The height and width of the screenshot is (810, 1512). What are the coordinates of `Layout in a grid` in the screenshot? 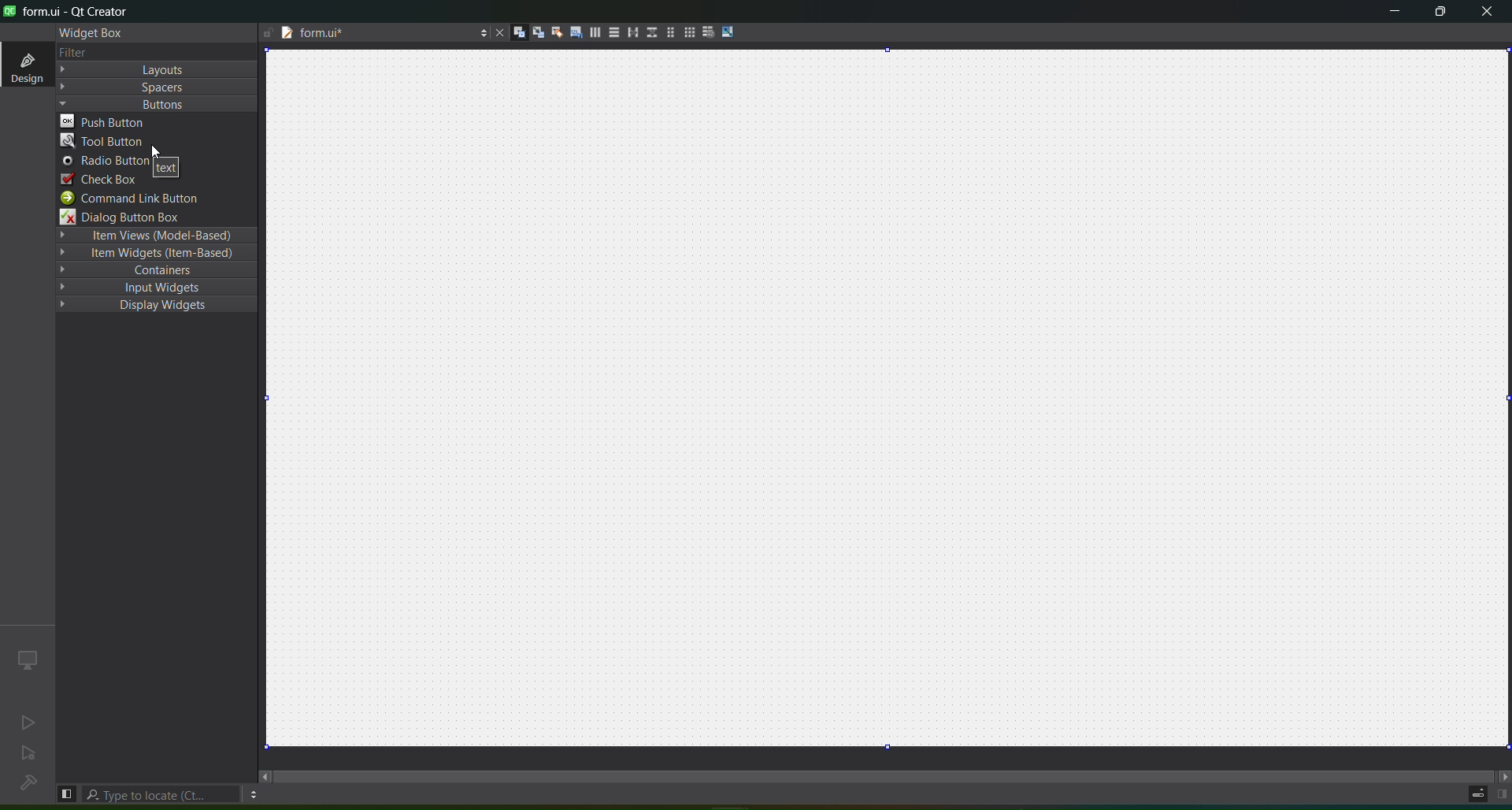 It's located at (688, 32).